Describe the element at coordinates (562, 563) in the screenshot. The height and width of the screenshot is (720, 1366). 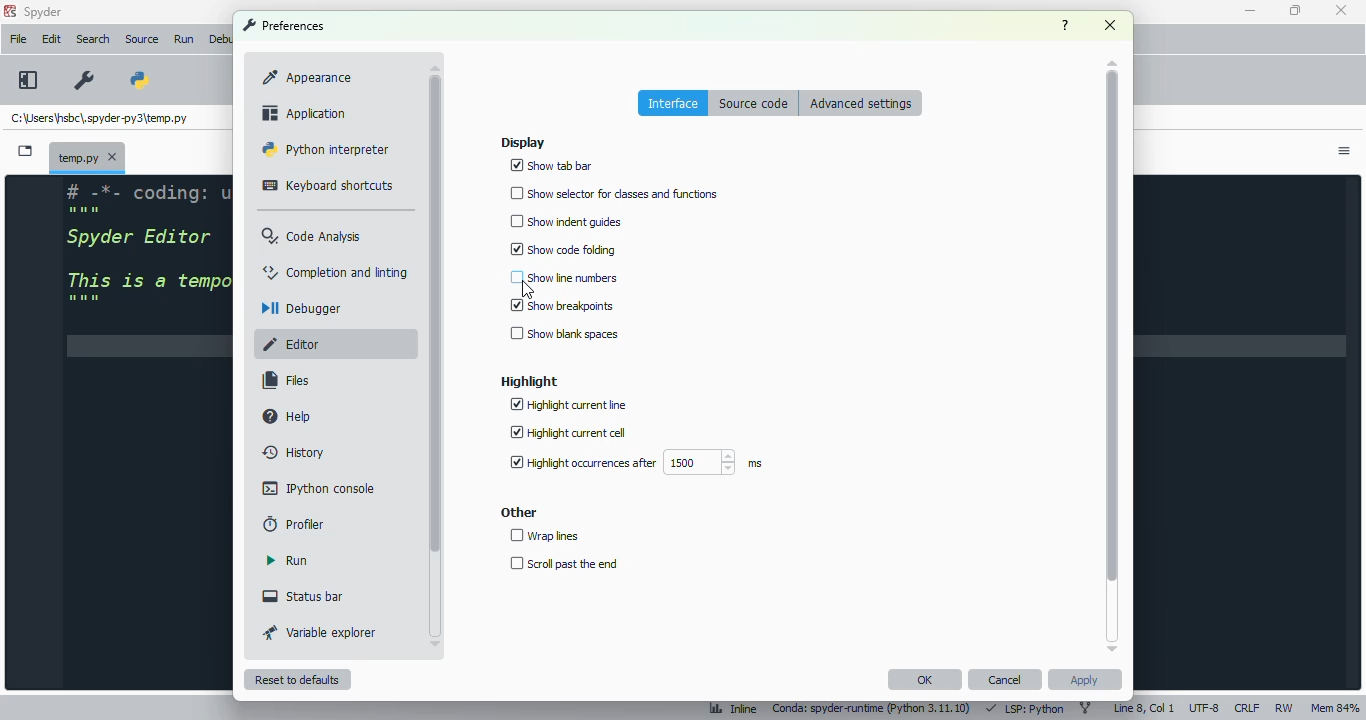
I see `scroll past the end` at that location.